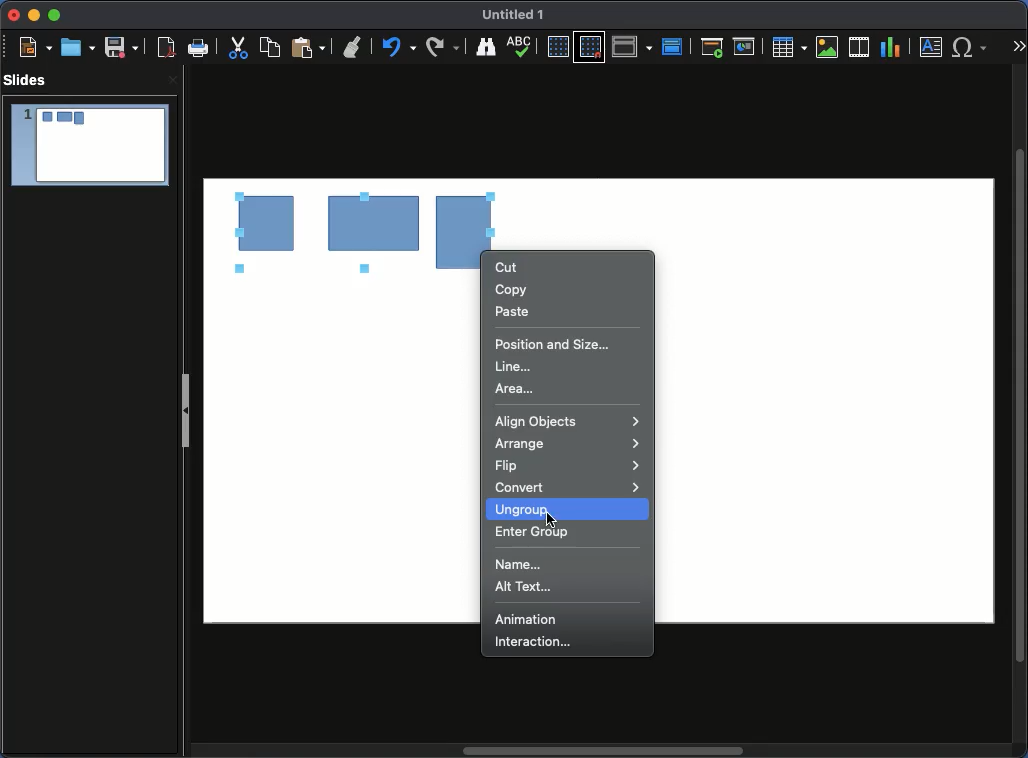  What do you see at coordinates (972, 47) in the screenshot?
I see `Characters` at bounding box center [972, 47].